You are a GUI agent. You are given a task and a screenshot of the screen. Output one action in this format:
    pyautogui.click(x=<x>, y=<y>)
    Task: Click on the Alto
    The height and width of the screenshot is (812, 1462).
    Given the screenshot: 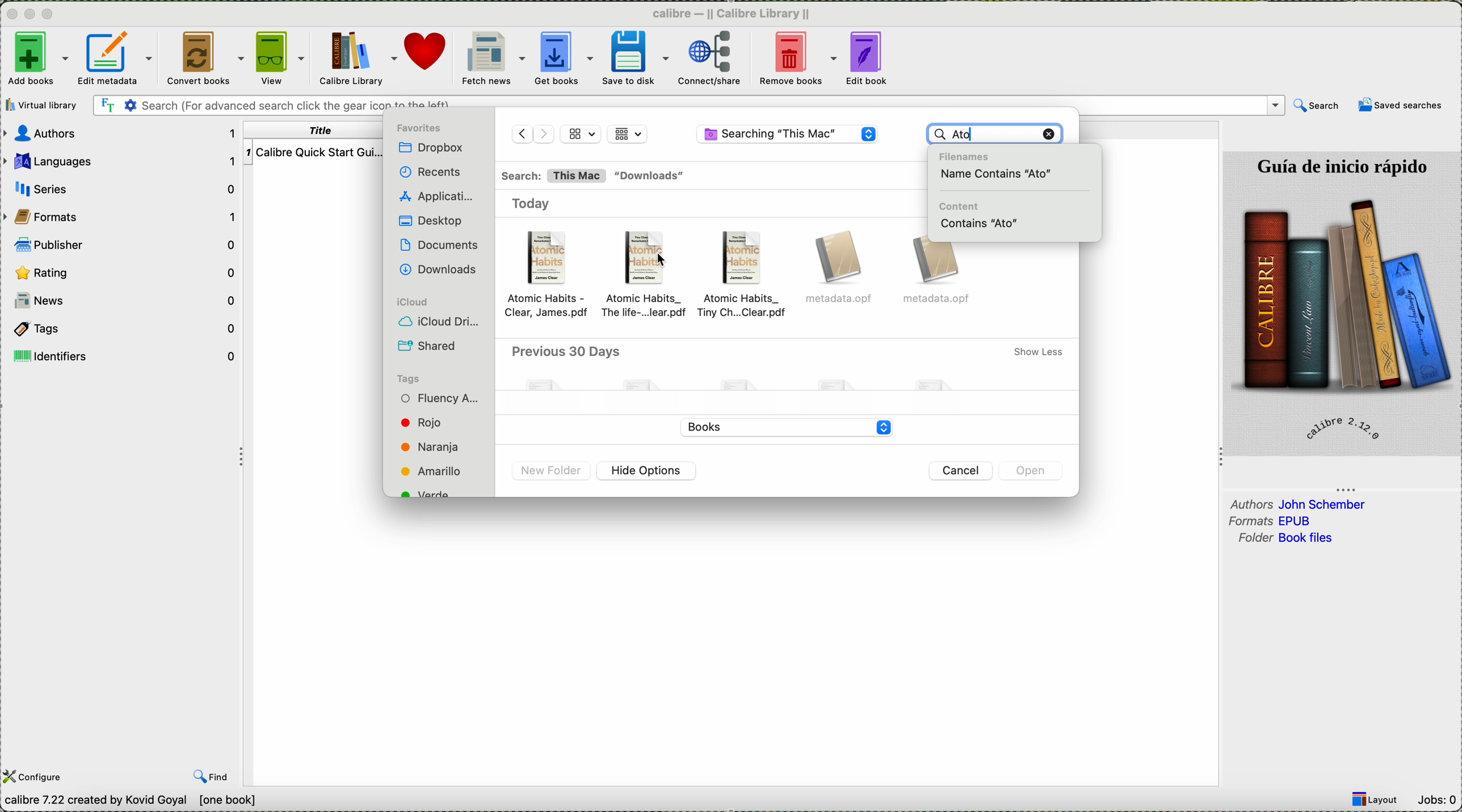 What is the action you would take?
    pyautogui.click(x=981, y=133)
    